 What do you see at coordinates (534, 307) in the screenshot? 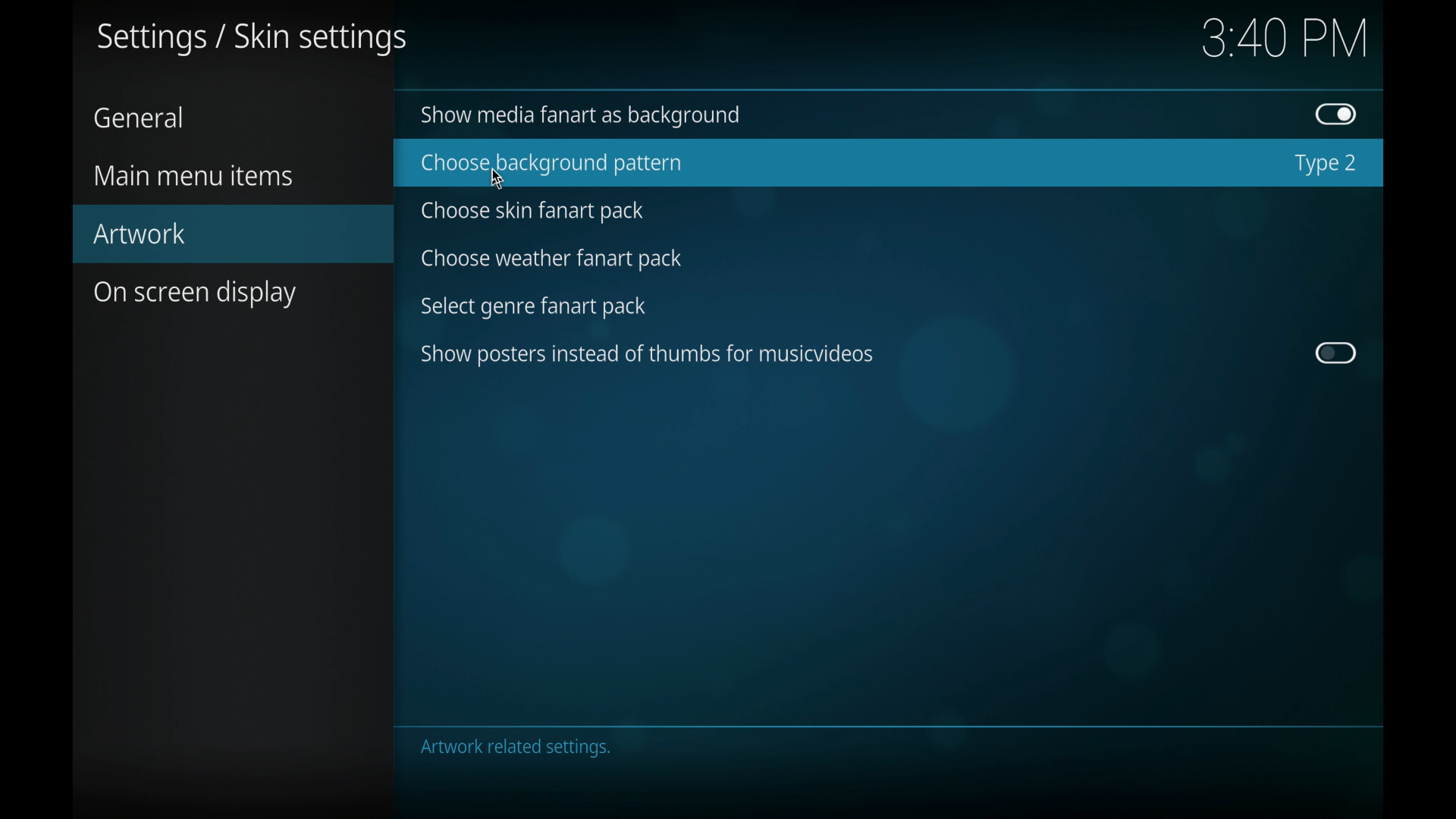
I see `select genre fanart pack` at bounding box center [534, 307].